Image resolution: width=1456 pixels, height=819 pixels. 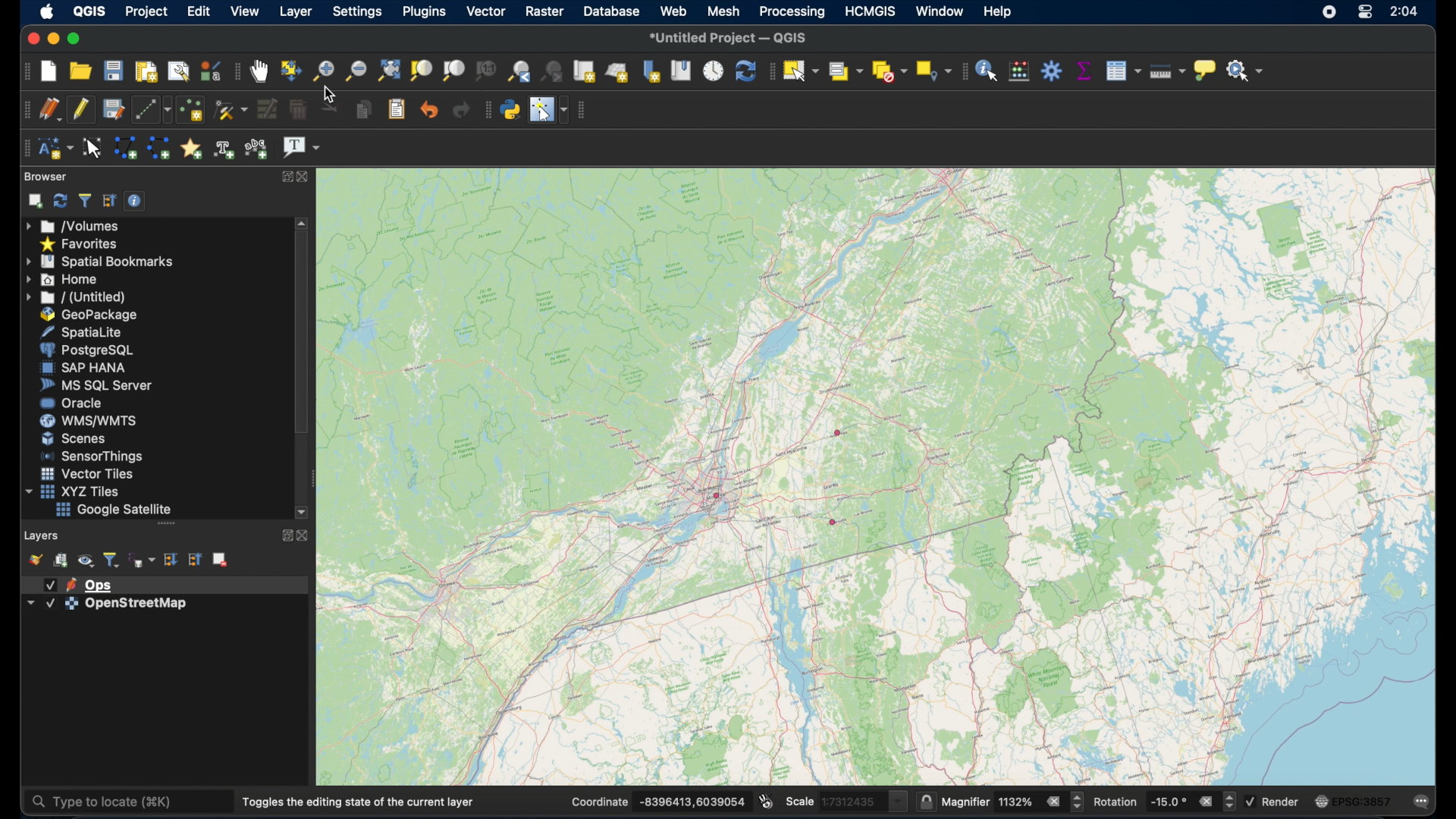 I want to click on current cos, so click(x=1354, y=801).